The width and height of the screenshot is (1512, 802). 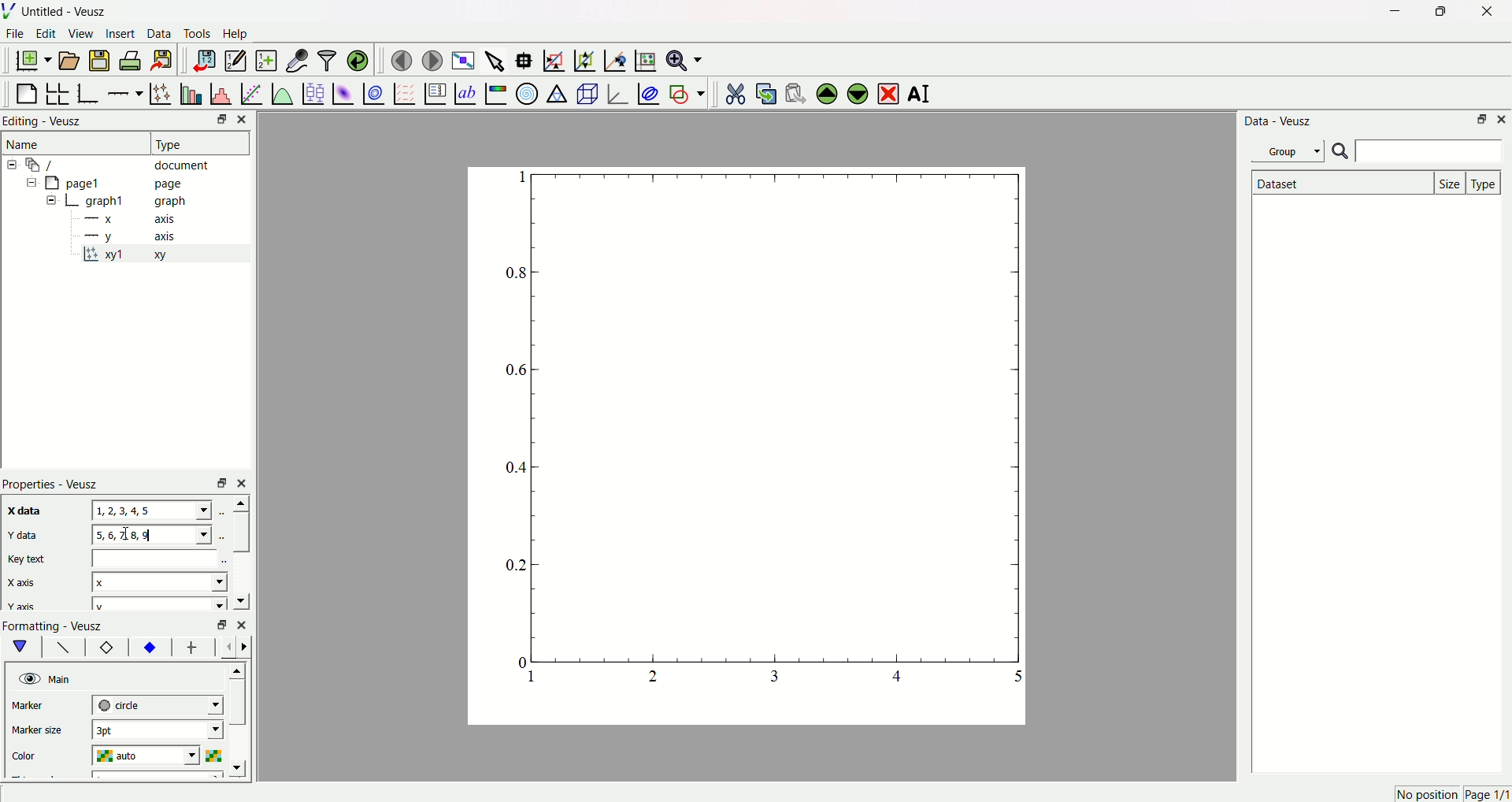 What do you see at coordinates (218, 625) in the screenshot?
I see `minimise` at bounding box center [218, 625].